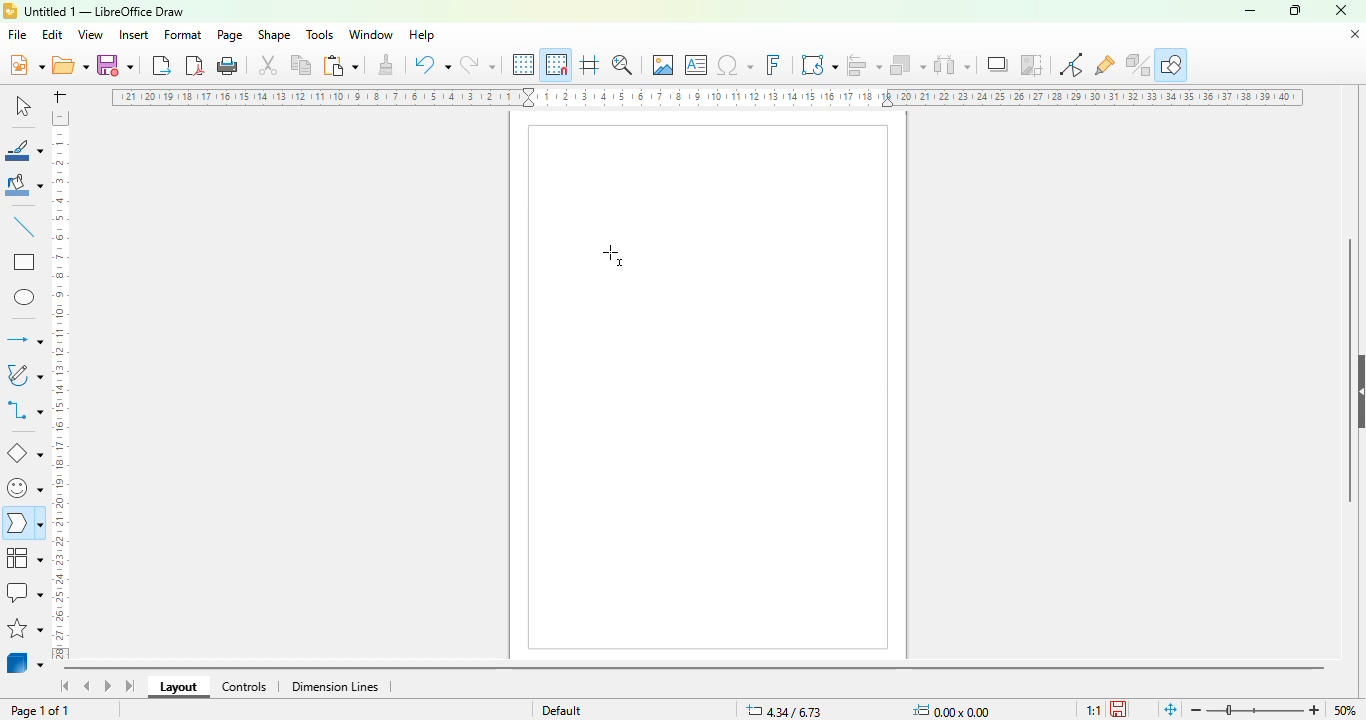 The image size is (1366, 720). What do you see at coordinates (24, 592) in the screenshot?
I see `calllout shapes` at bounding box center [24, 592].